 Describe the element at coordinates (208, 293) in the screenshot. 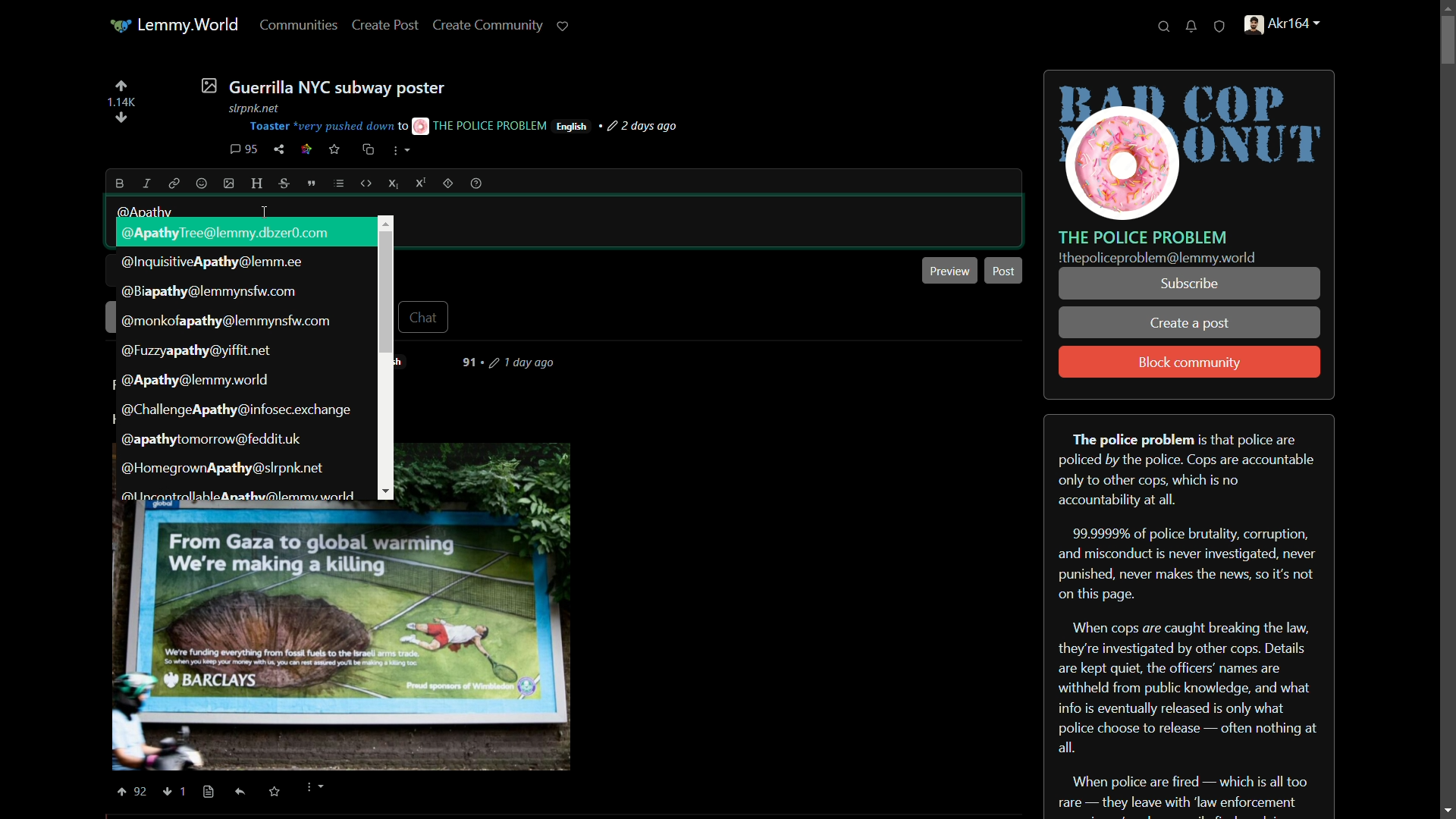

I see `suggestion-3` at that location.